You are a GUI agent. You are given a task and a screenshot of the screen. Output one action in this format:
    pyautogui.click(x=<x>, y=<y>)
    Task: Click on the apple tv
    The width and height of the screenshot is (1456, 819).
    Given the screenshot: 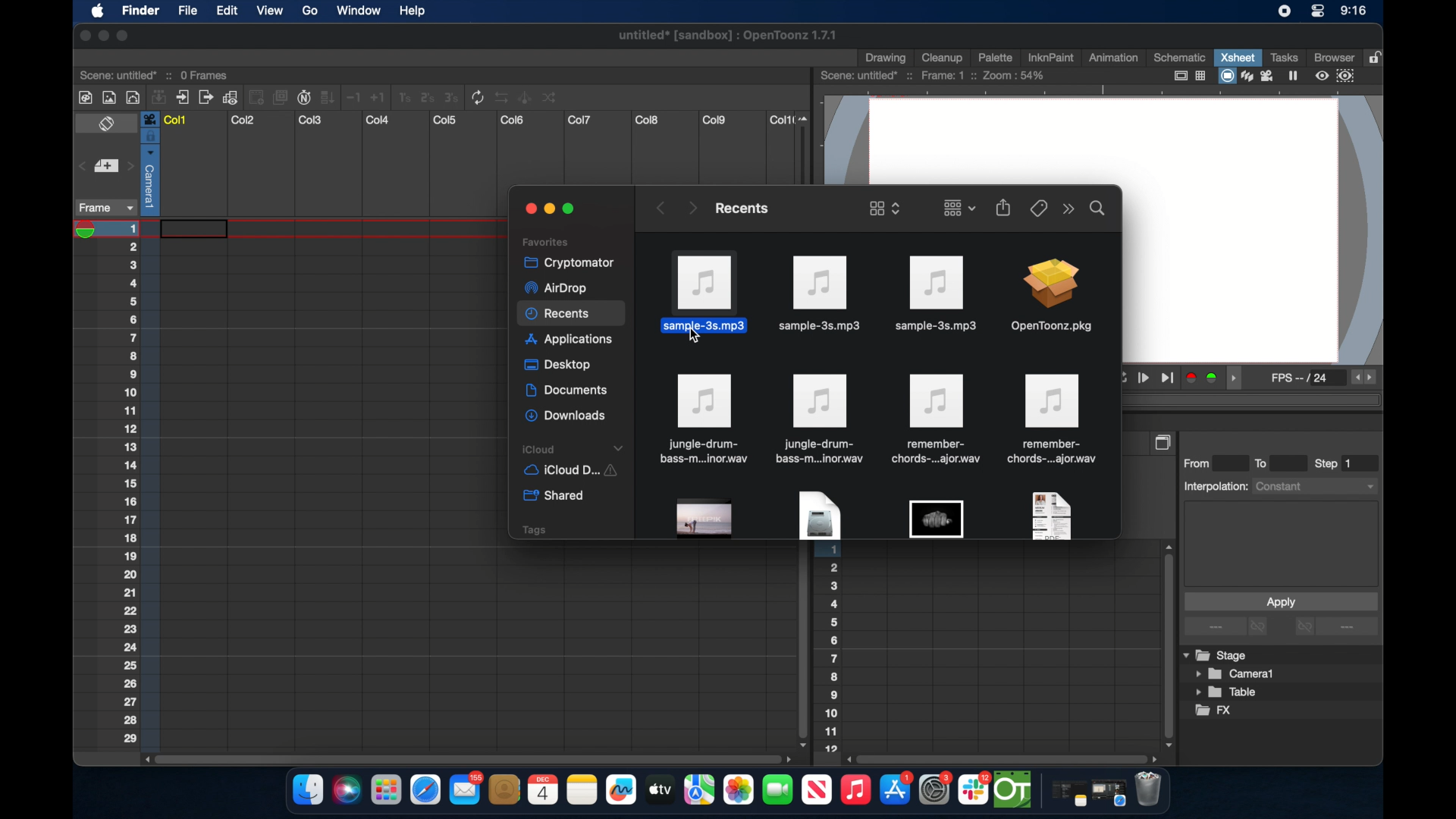 What is the action you would take?
    pyautogui.click(x=659, y=789)
    